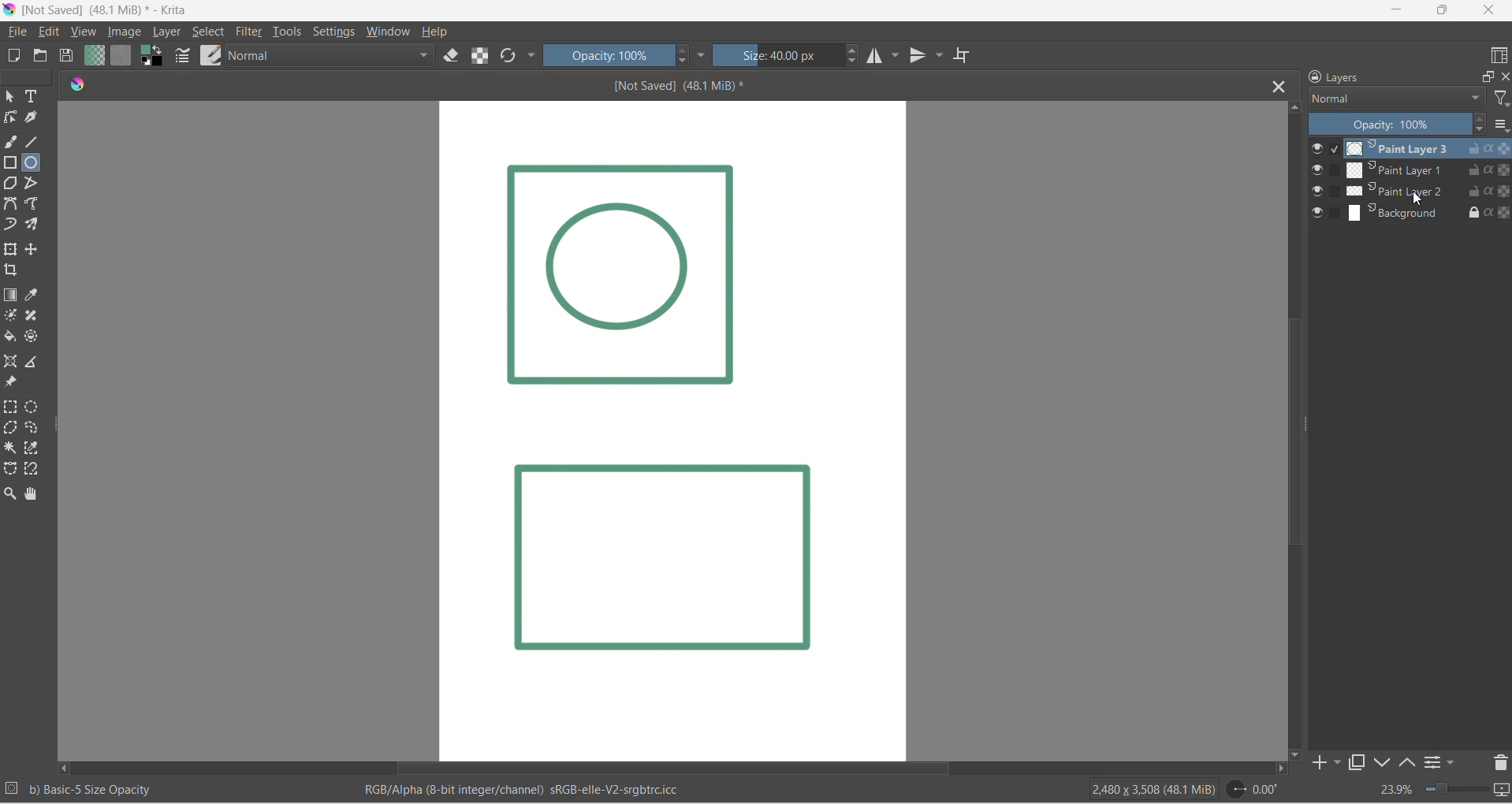  Describe the element at coordinates (39, 184) in the screenshot. I see `polyline tool` at that location.